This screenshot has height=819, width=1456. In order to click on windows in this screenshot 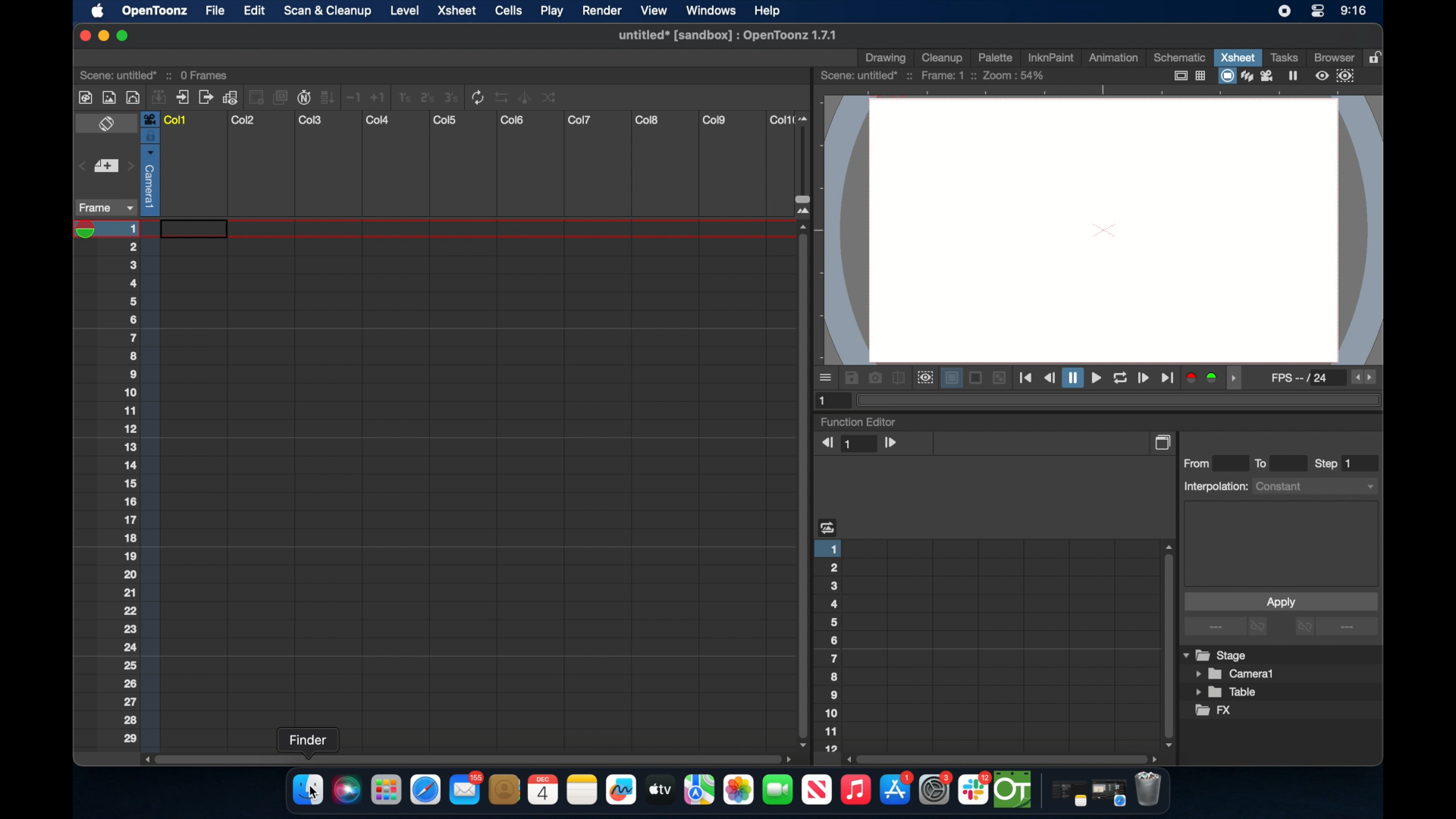, I will do `click(711, 11)`.